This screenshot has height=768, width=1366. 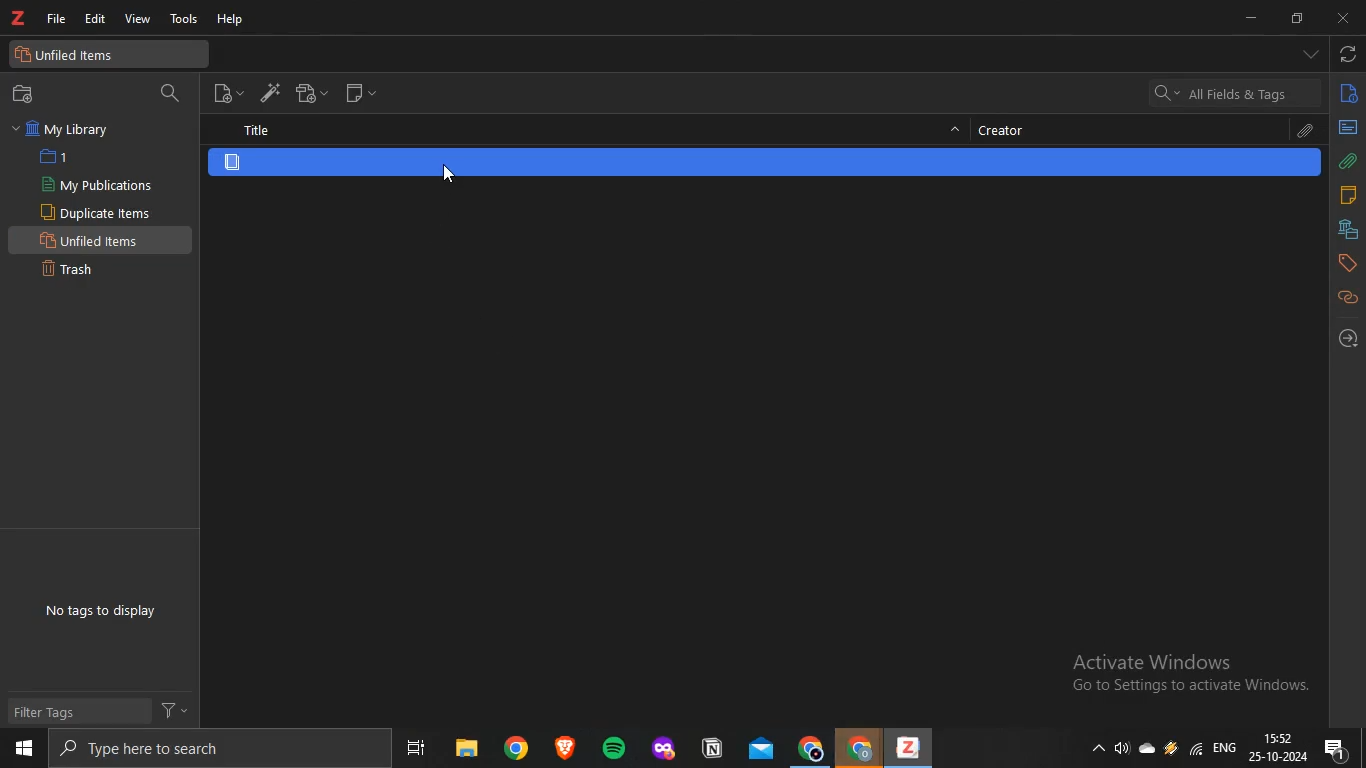 I want to click on search, so click(x=210, y=748).